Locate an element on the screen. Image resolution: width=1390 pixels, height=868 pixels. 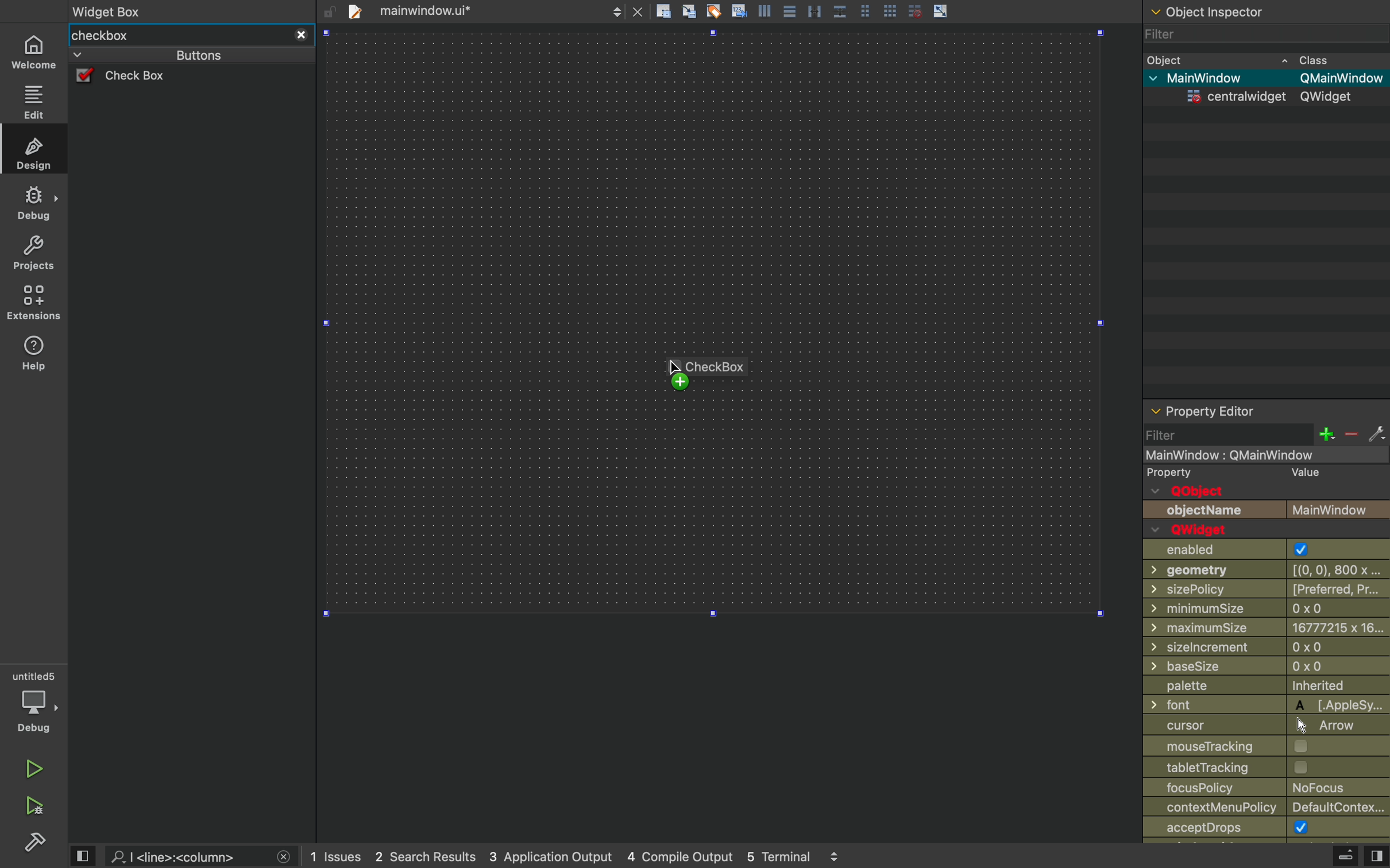
view is located at coordinates (84, 855).